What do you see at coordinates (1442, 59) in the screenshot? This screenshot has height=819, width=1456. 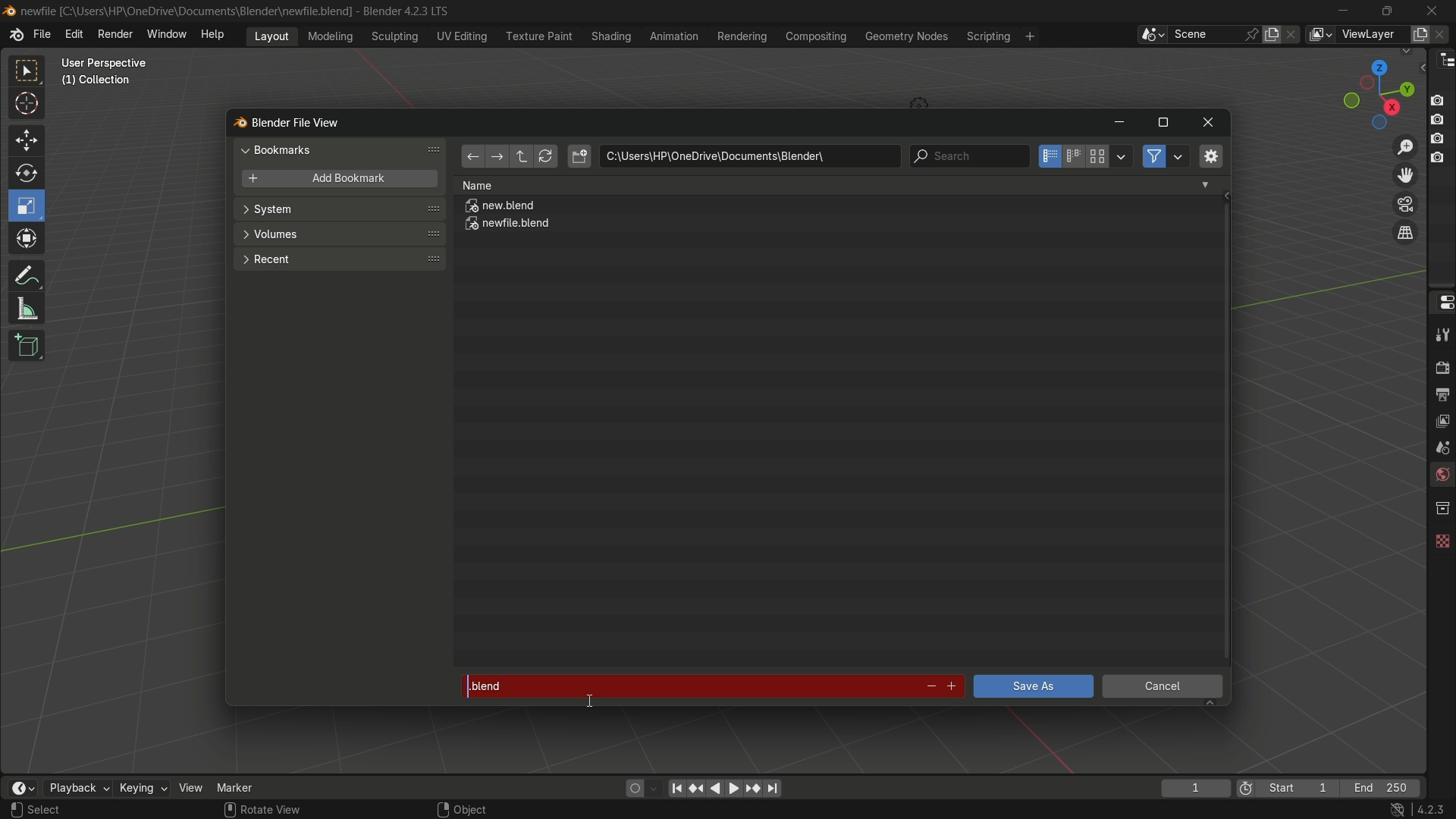 I see `outliner` at bounding box center [1442, 59].